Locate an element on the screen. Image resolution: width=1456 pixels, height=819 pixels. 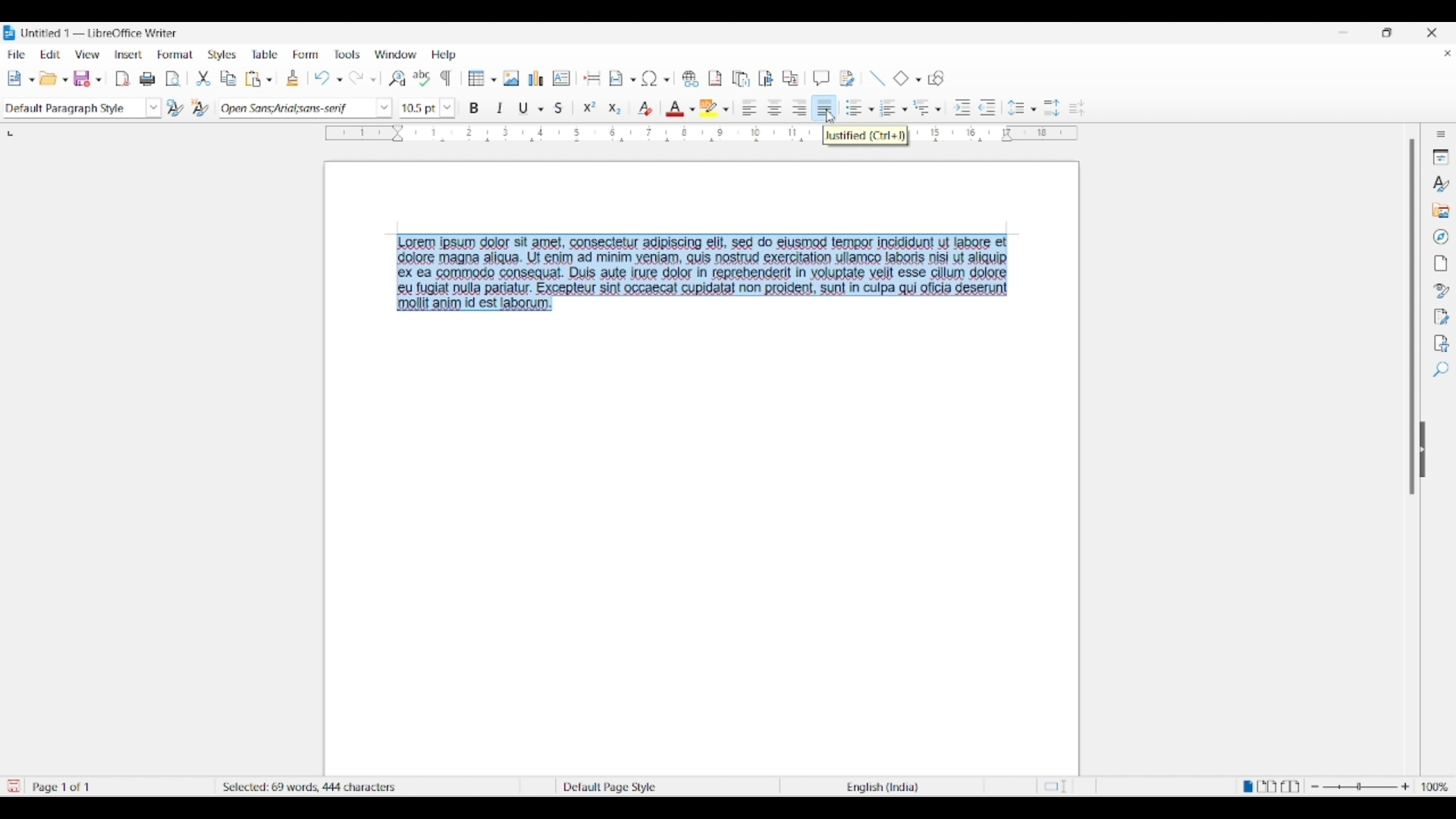
Close document is located at coordinates (1448, 53).